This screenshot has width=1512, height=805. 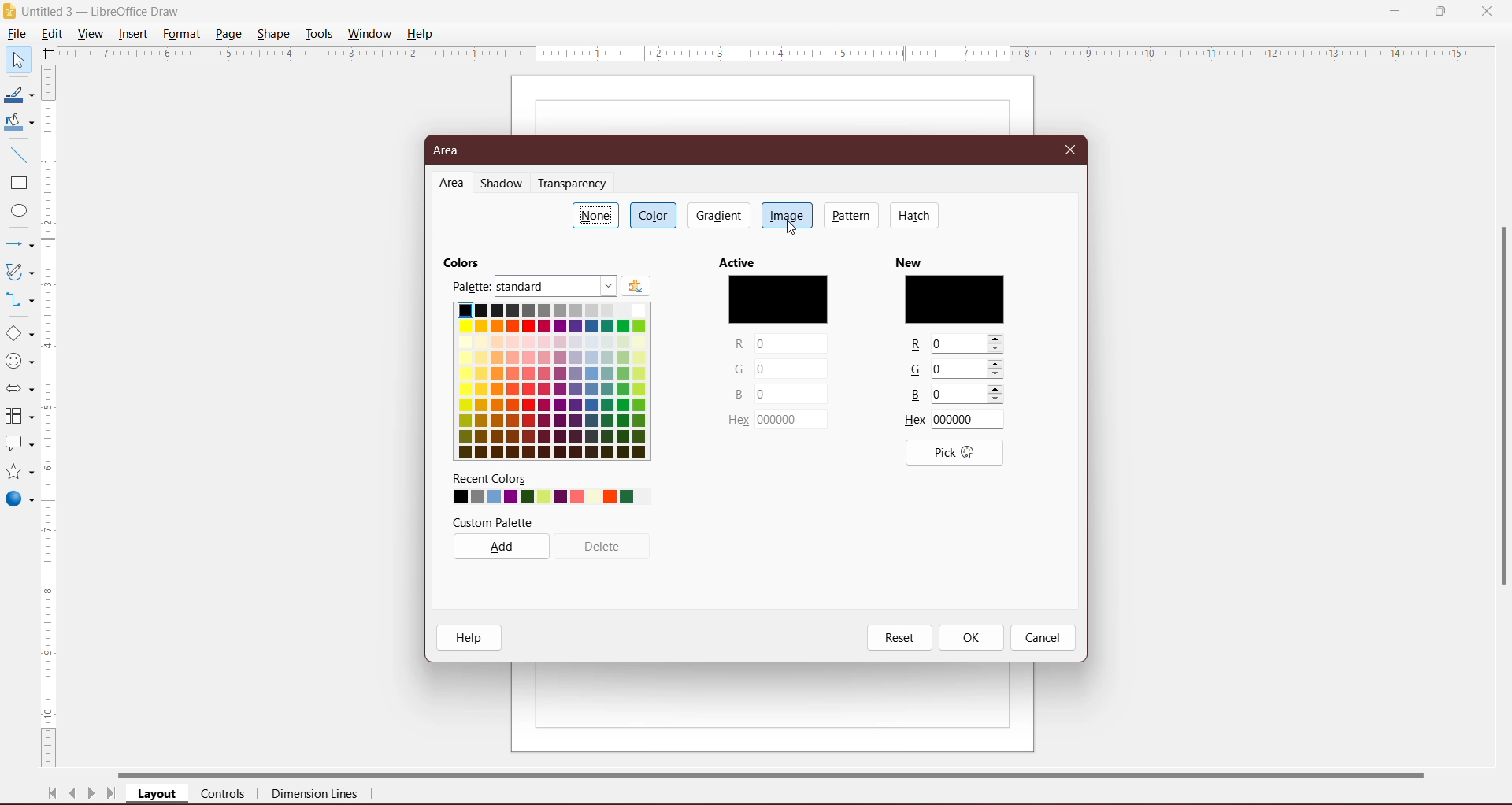 What do you see at coordinates (956, 298) in the screenshot?
I see `color` at bounding box center [956, 298].